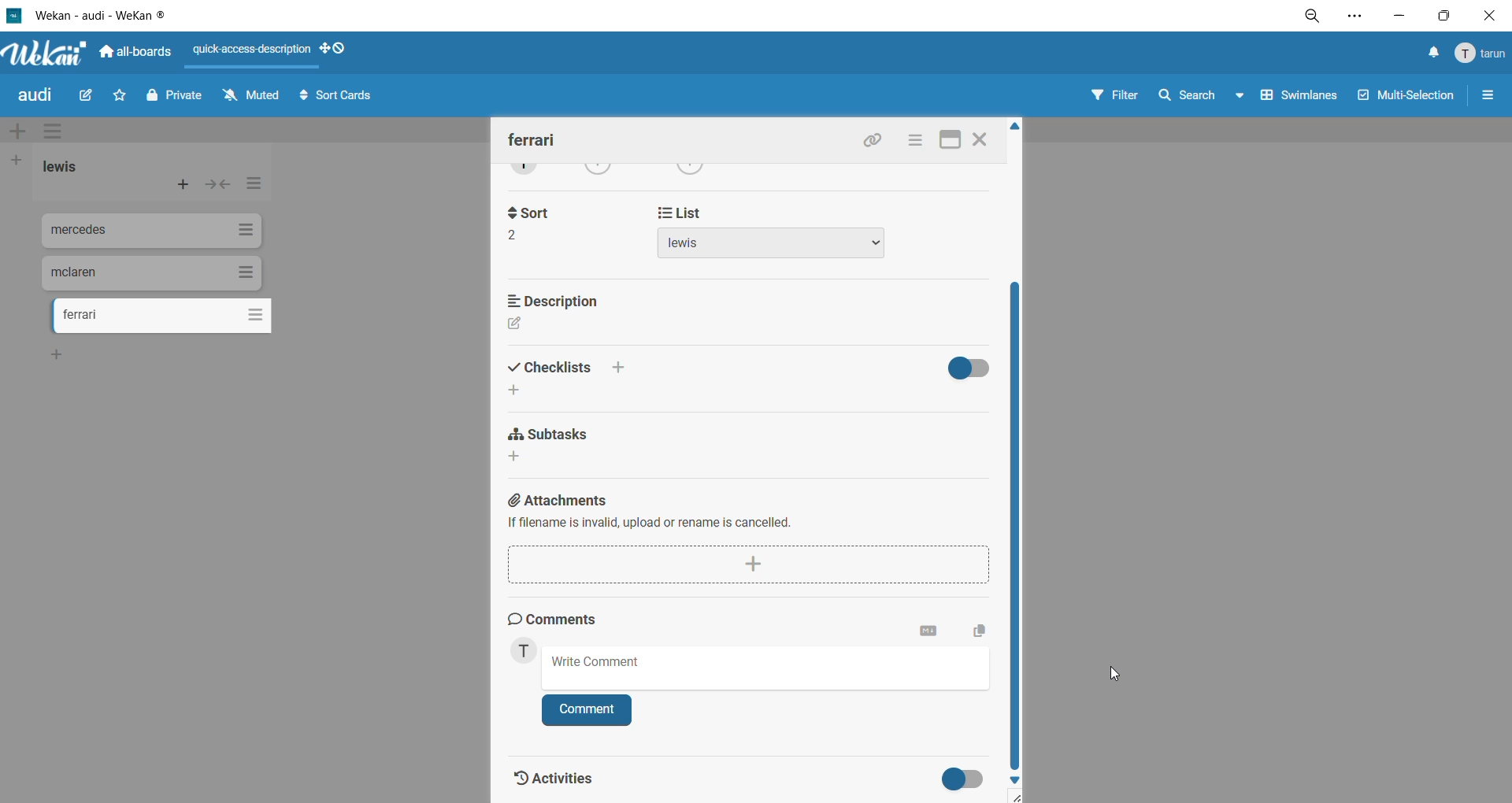 The height and width of the screenshot is (803, 1512). Describe the element at coordinates (959, 779) in the screenshot. I see `toggle` at that location.